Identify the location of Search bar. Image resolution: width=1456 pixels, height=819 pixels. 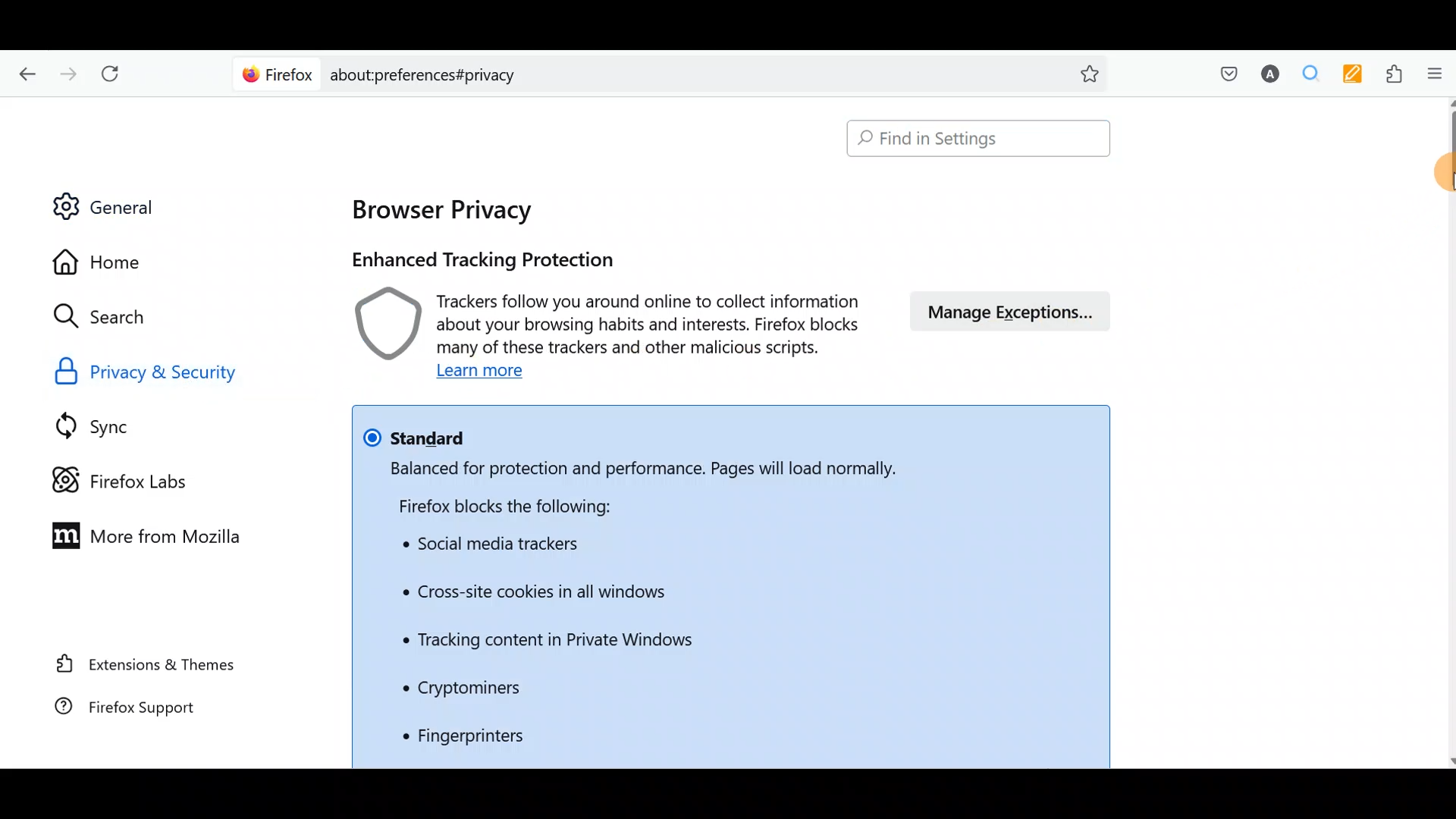
(675, 72).